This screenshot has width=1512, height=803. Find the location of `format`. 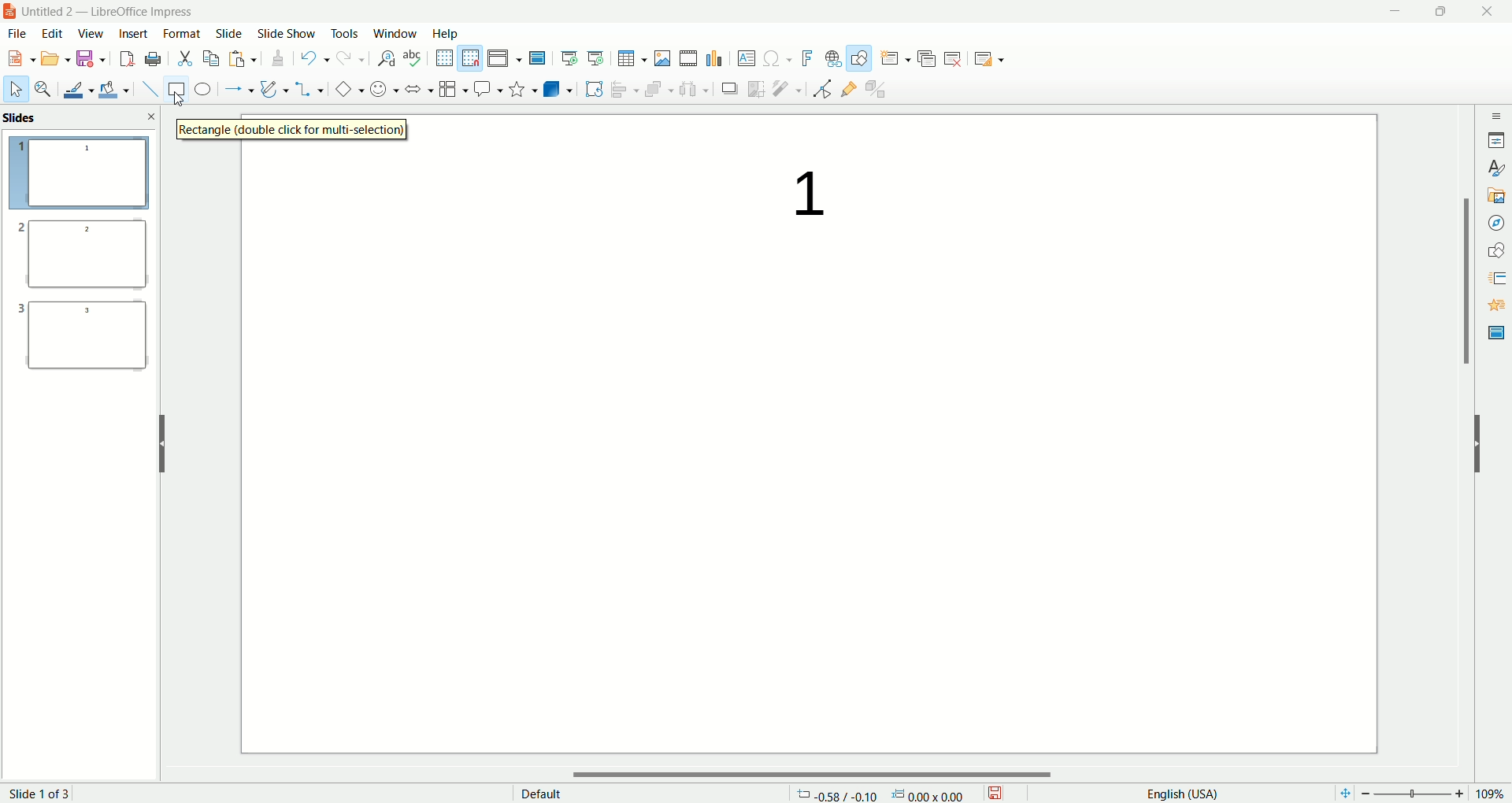

format is located at coordinates (183, 32).